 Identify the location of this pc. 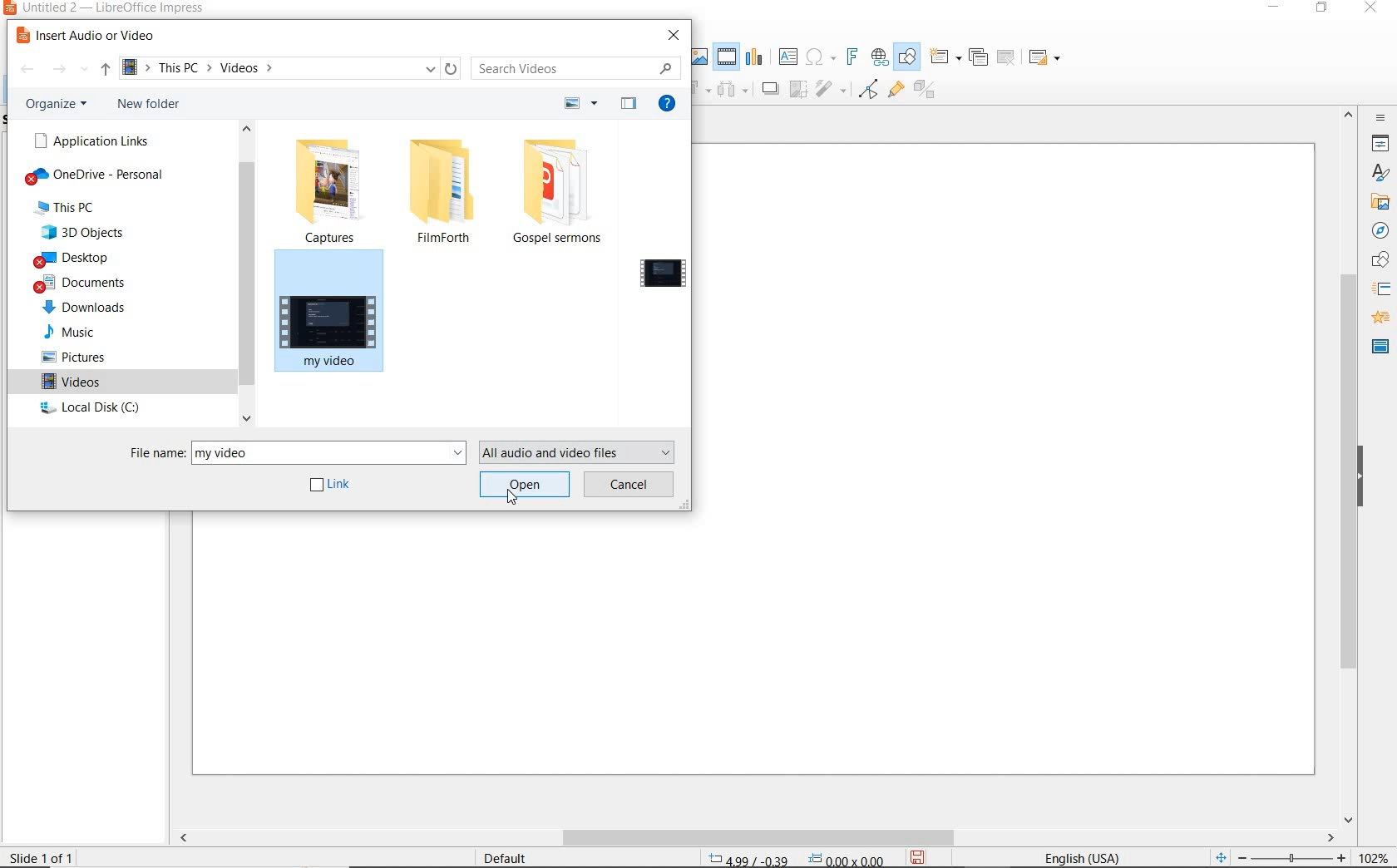
(66, 207).